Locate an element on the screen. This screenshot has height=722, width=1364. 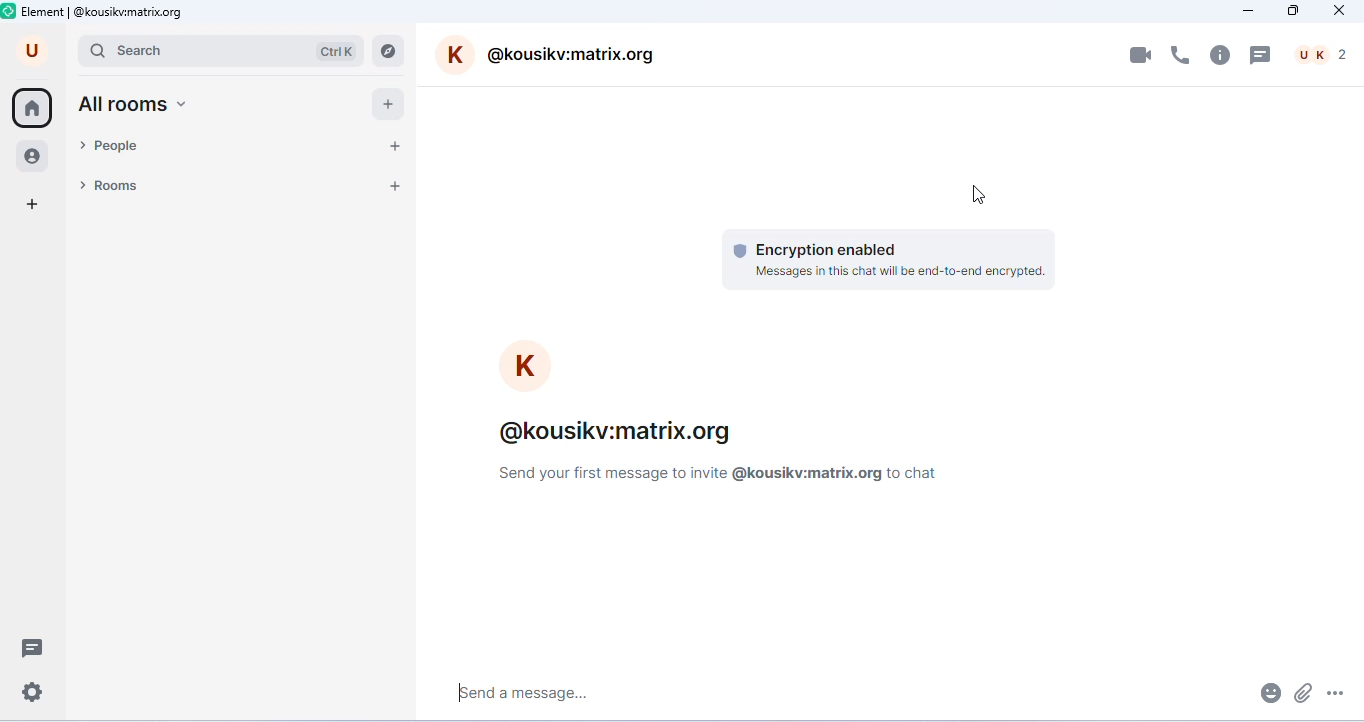
ctrl k is located at coordinates (336, 51).